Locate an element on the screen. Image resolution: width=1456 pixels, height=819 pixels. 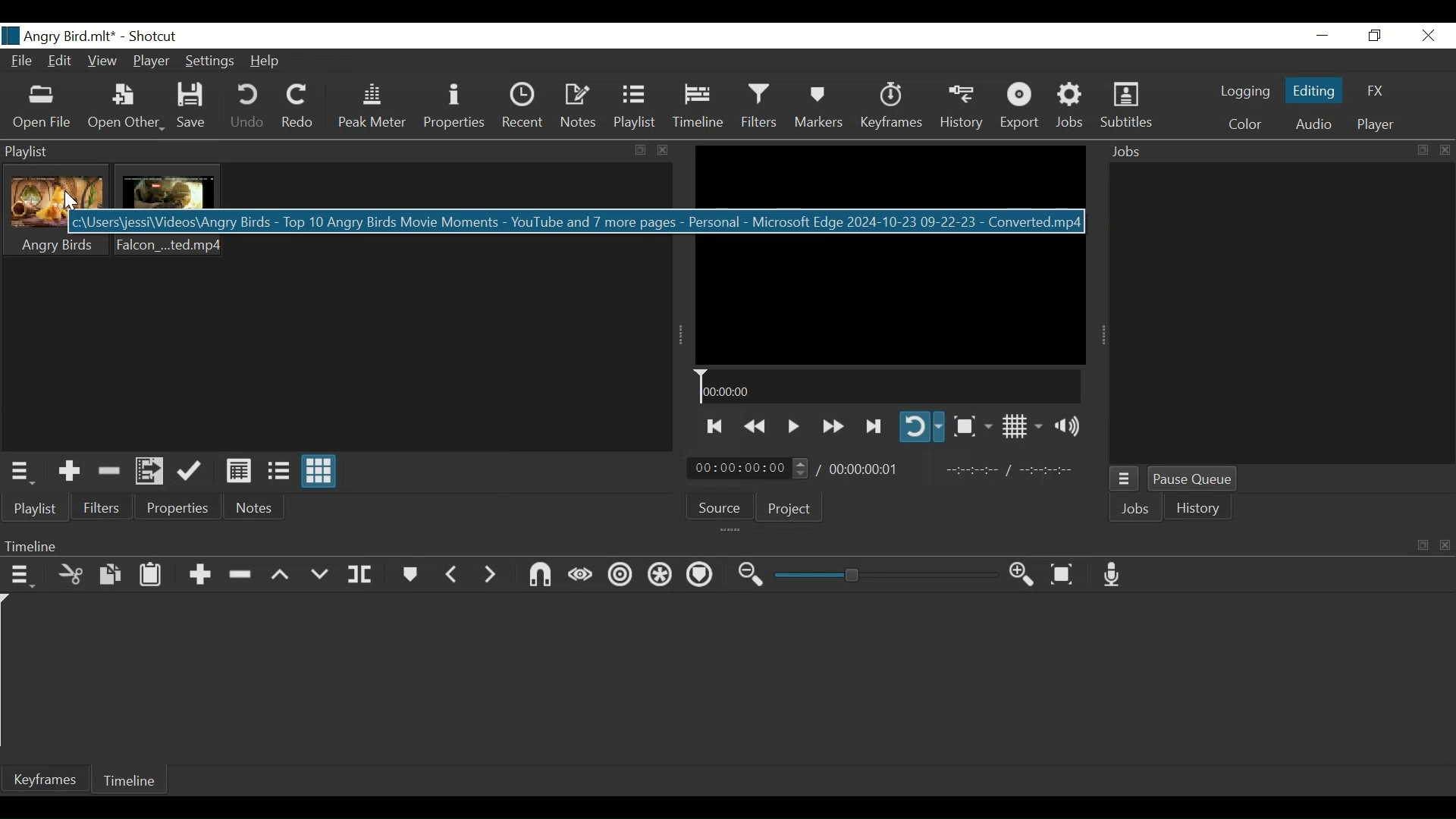
Next Marker is located at coordinates (490, 574).